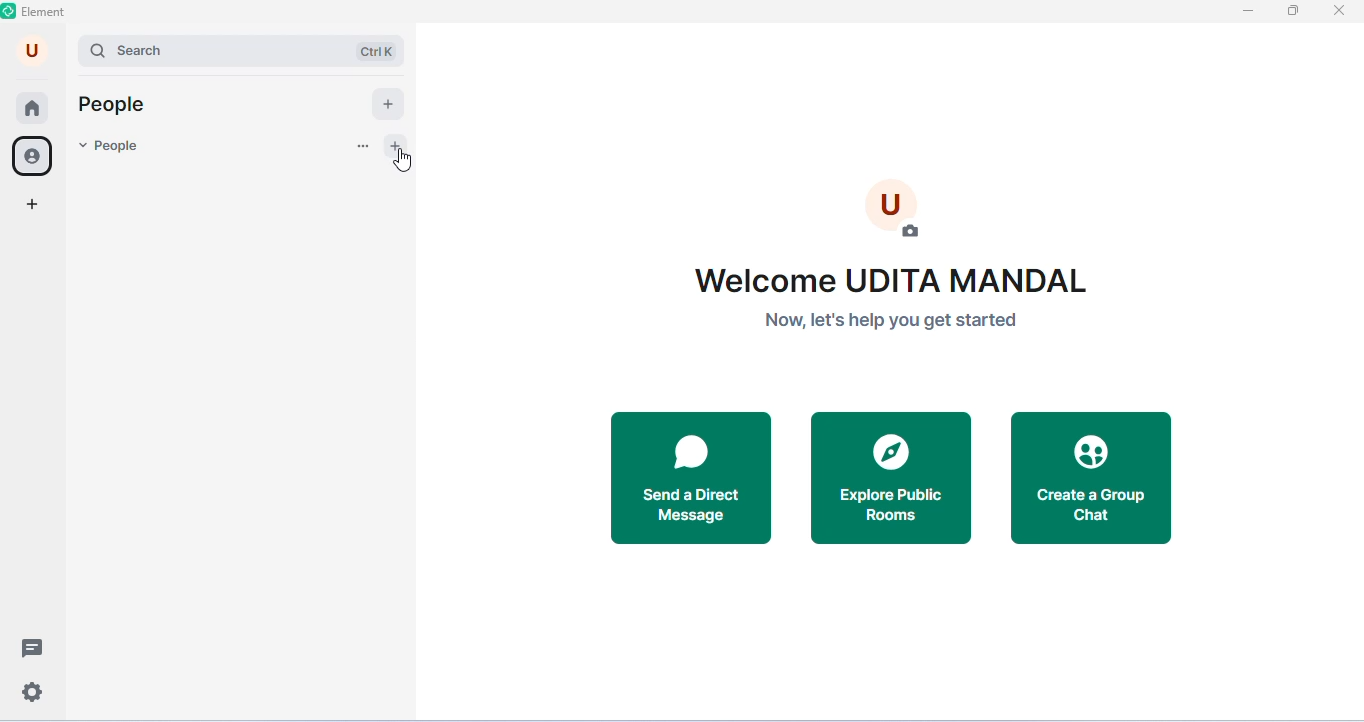 Image resolution: width=1364 pixels, height=722 pixels. Describe the element at coordinates (36, 12) in the screenshot. I see `Element` at that location.